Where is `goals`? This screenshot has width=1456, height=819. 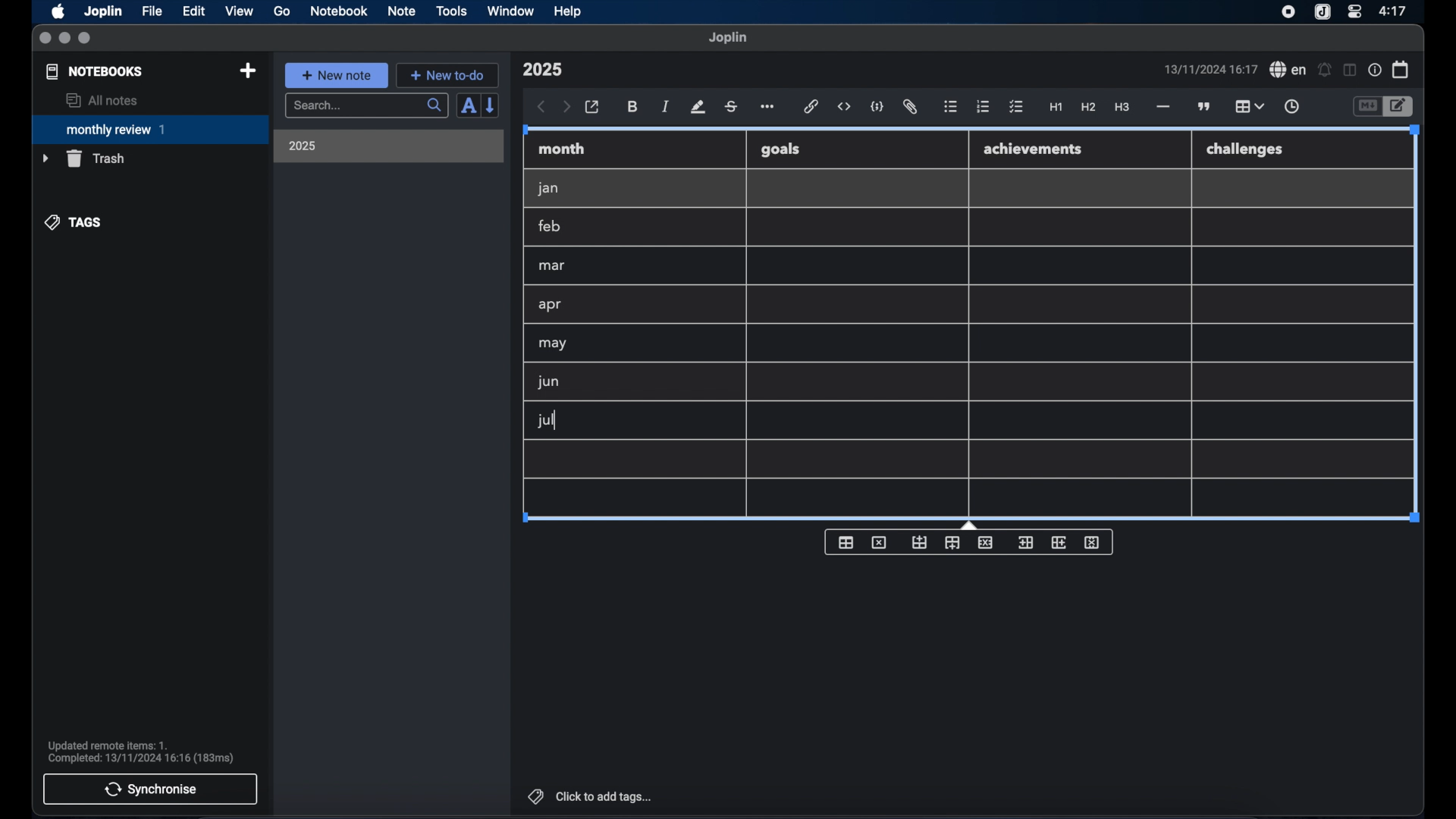 goals is located at coordinates (780, 149).